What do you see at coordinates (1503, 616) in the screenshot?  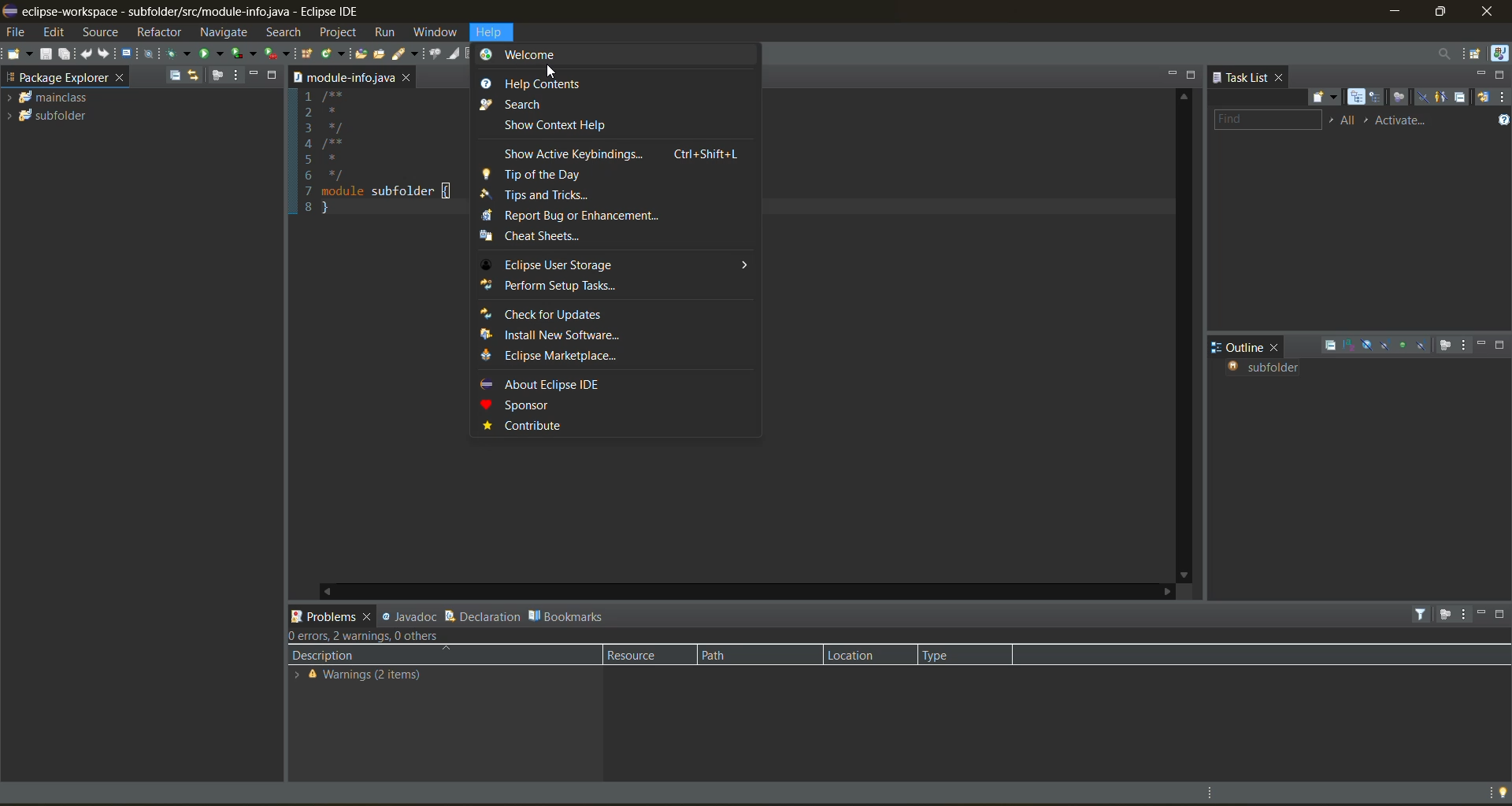 I see `maximize` at bounding box center [1503, 616].